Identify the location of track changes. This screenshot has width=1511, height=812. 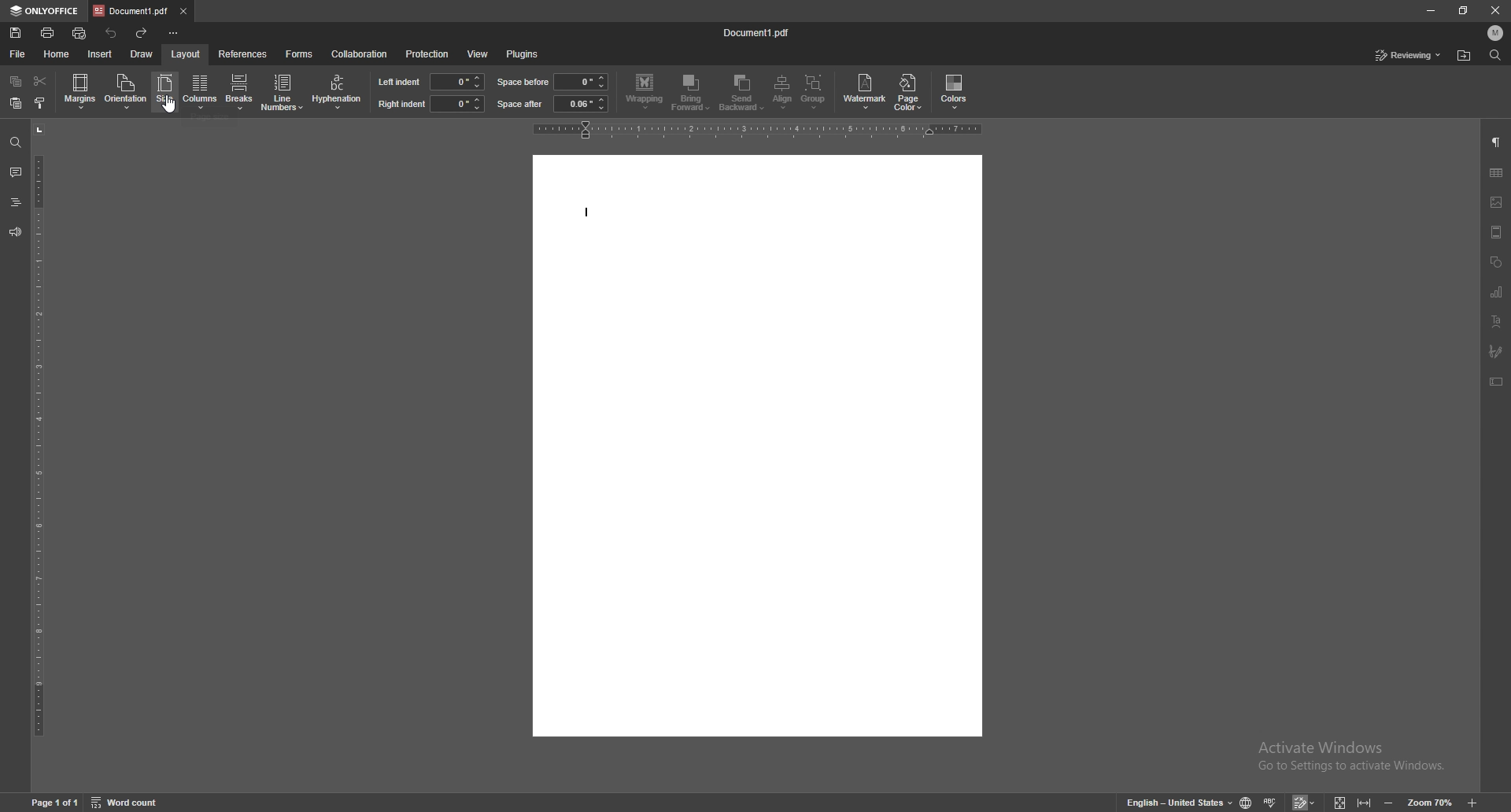
(1306, 803).